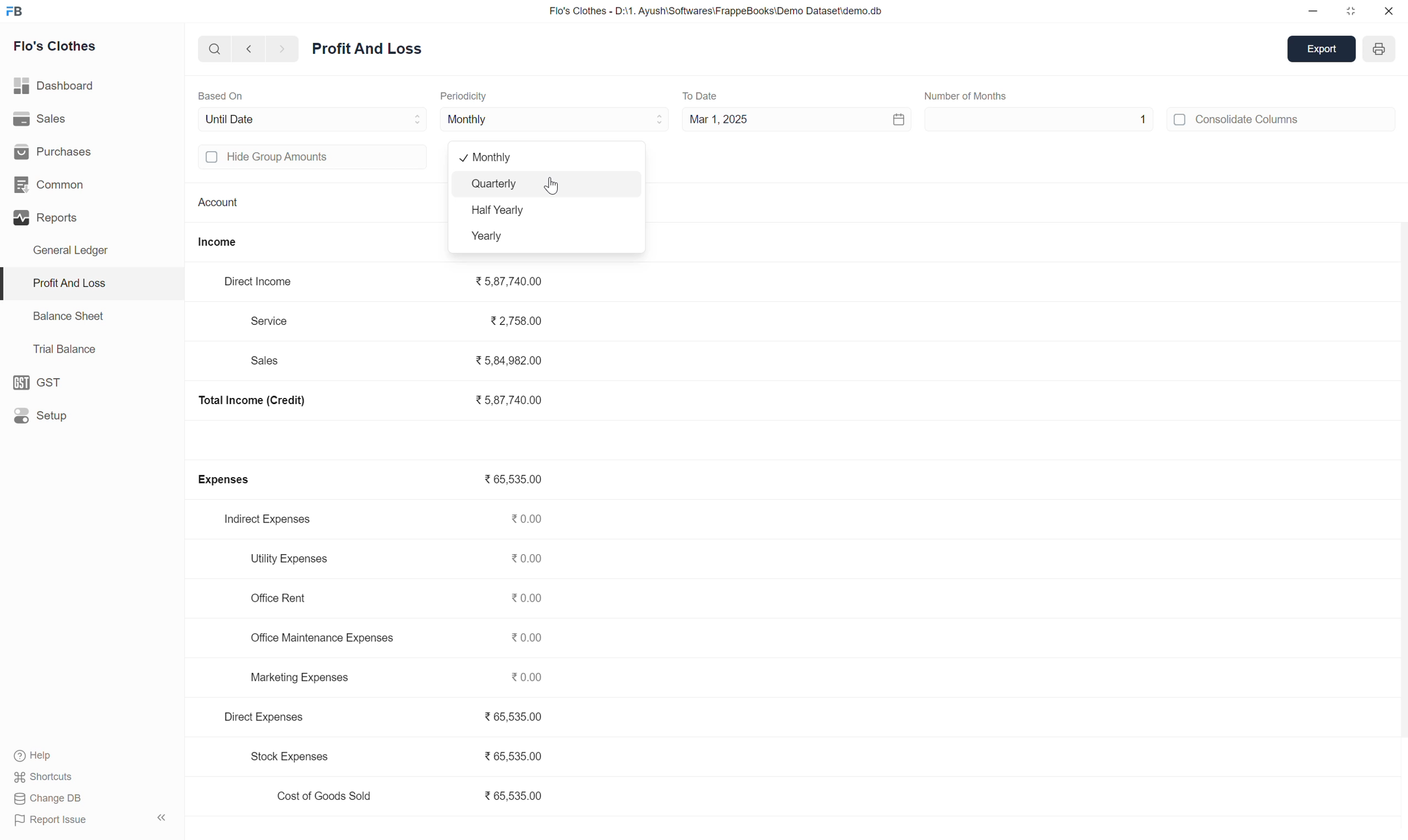  Describe the element at coordinates (295, 677) in the screenshot. I see `Marketing Expenses` at that location.